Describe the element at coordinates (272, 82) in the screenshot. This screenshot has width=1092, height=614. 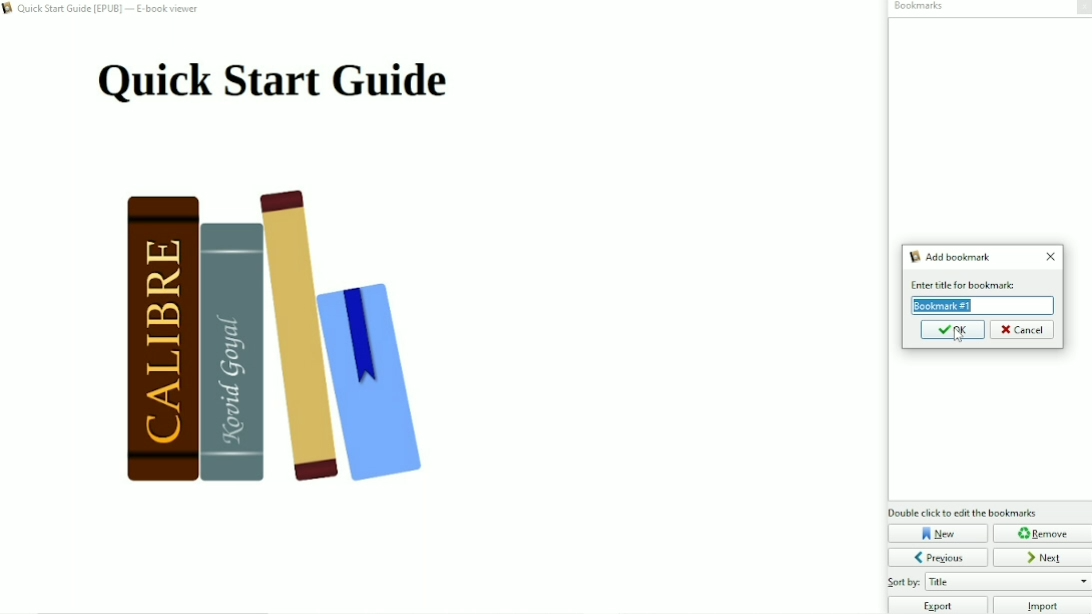
I see `Title` at that location.